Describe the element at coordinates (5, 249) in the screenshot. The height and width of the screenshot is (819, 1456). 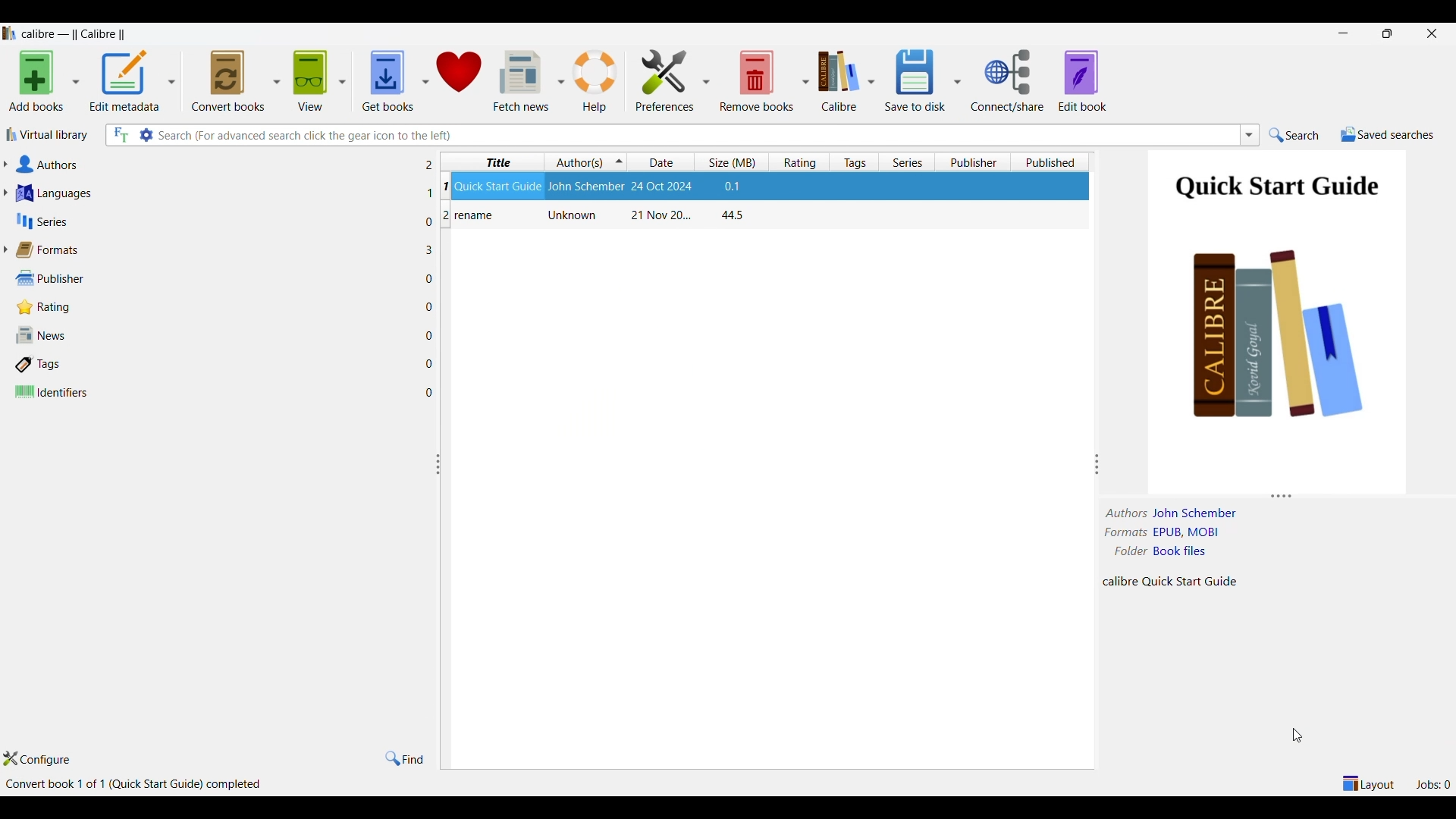
I see `Expand formats` at that location.